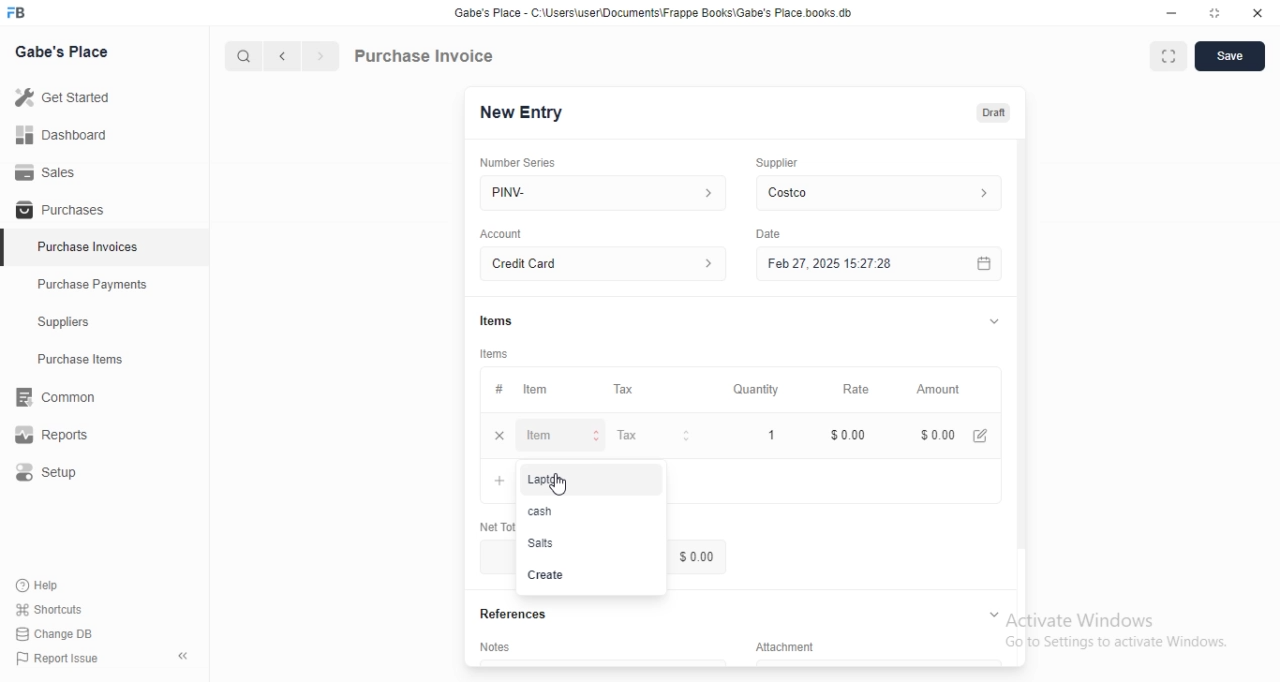 The image size is (1280, 682). Describe the element at coordinates (494, 354) in the screenshot. I see `Items` at that location.